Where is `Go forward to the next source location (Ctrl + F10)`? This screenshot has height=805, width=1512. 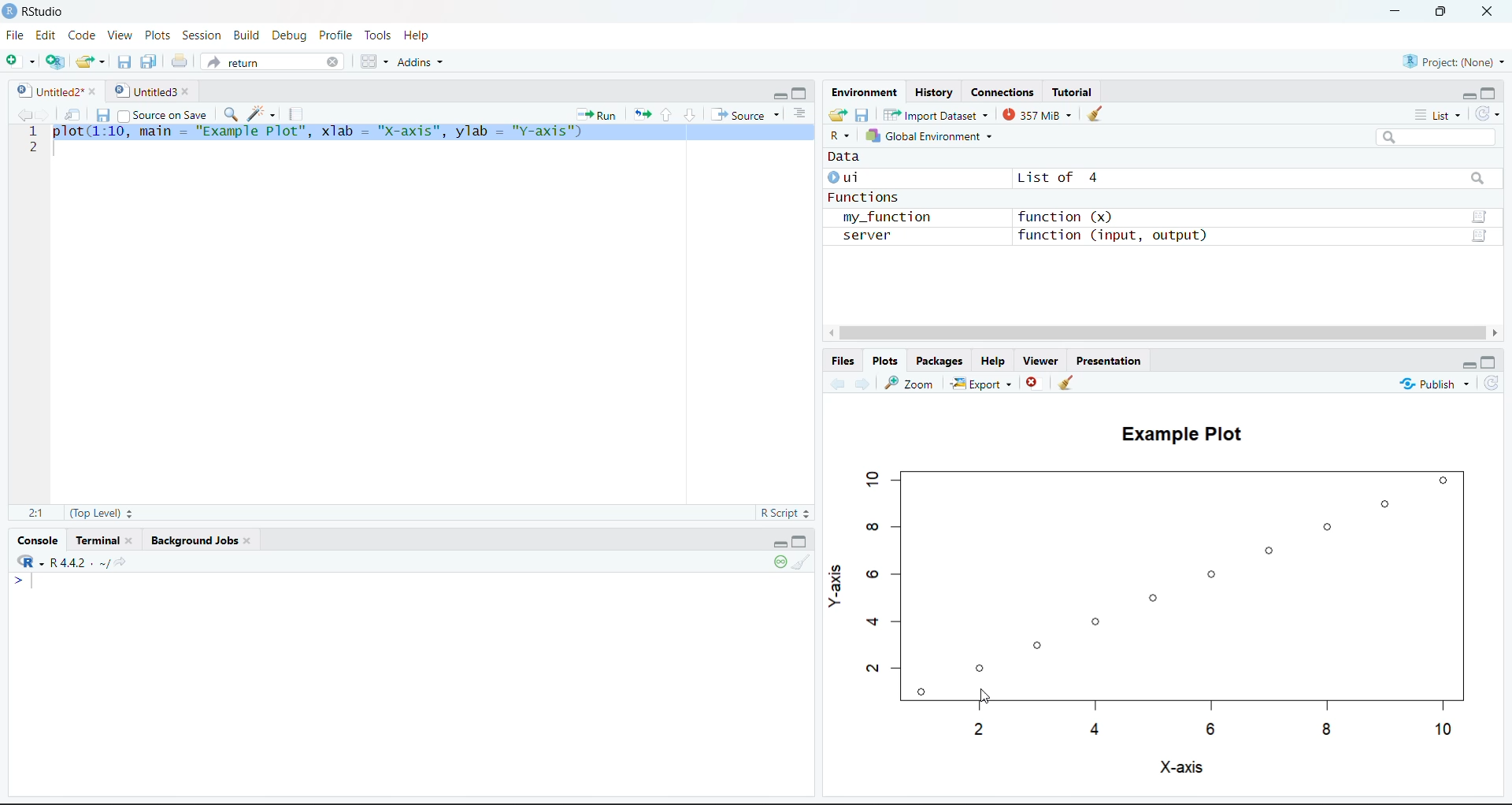
Go forward to the next source location (Ctrl + F10) is located at coordinates (860, 384).